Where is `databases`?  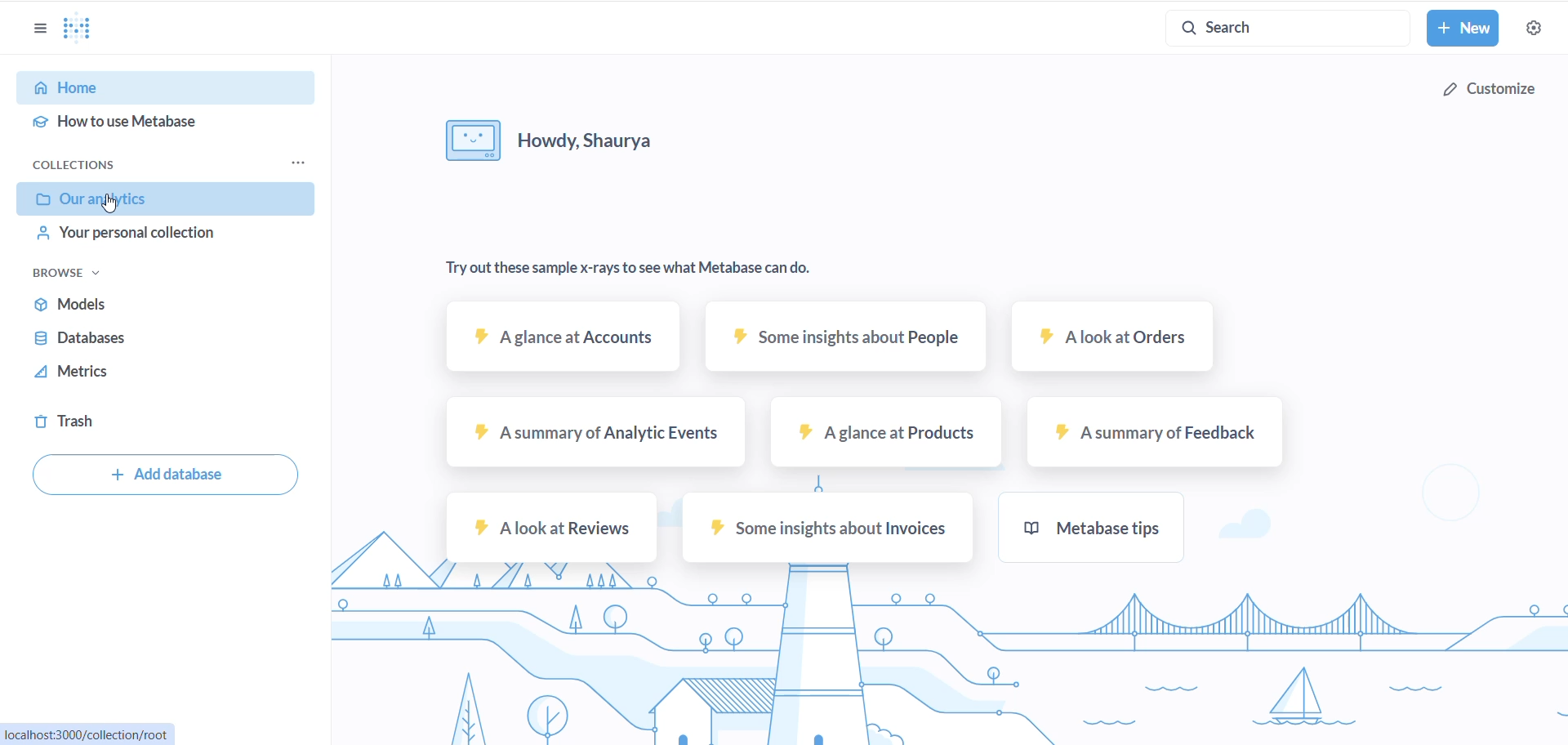
databases is located at coordinates (123, 340).